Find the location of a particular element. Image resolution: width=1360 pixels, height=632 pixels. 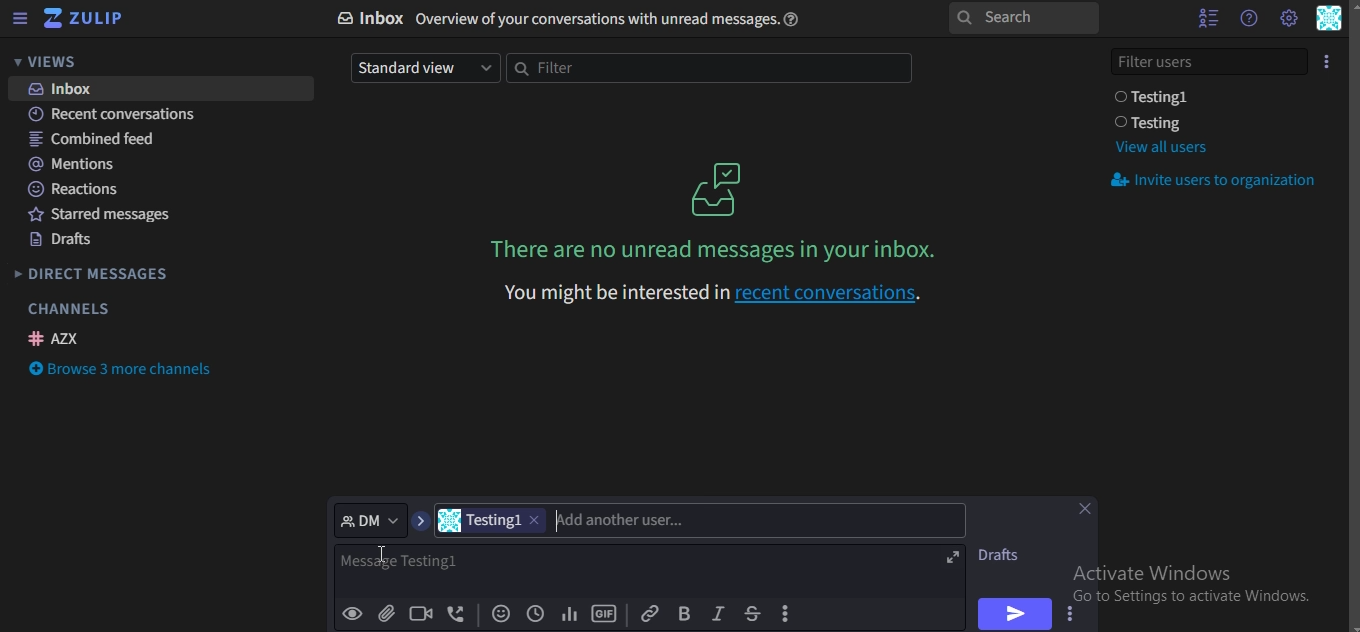

preview is located at coordinates (353, 614).